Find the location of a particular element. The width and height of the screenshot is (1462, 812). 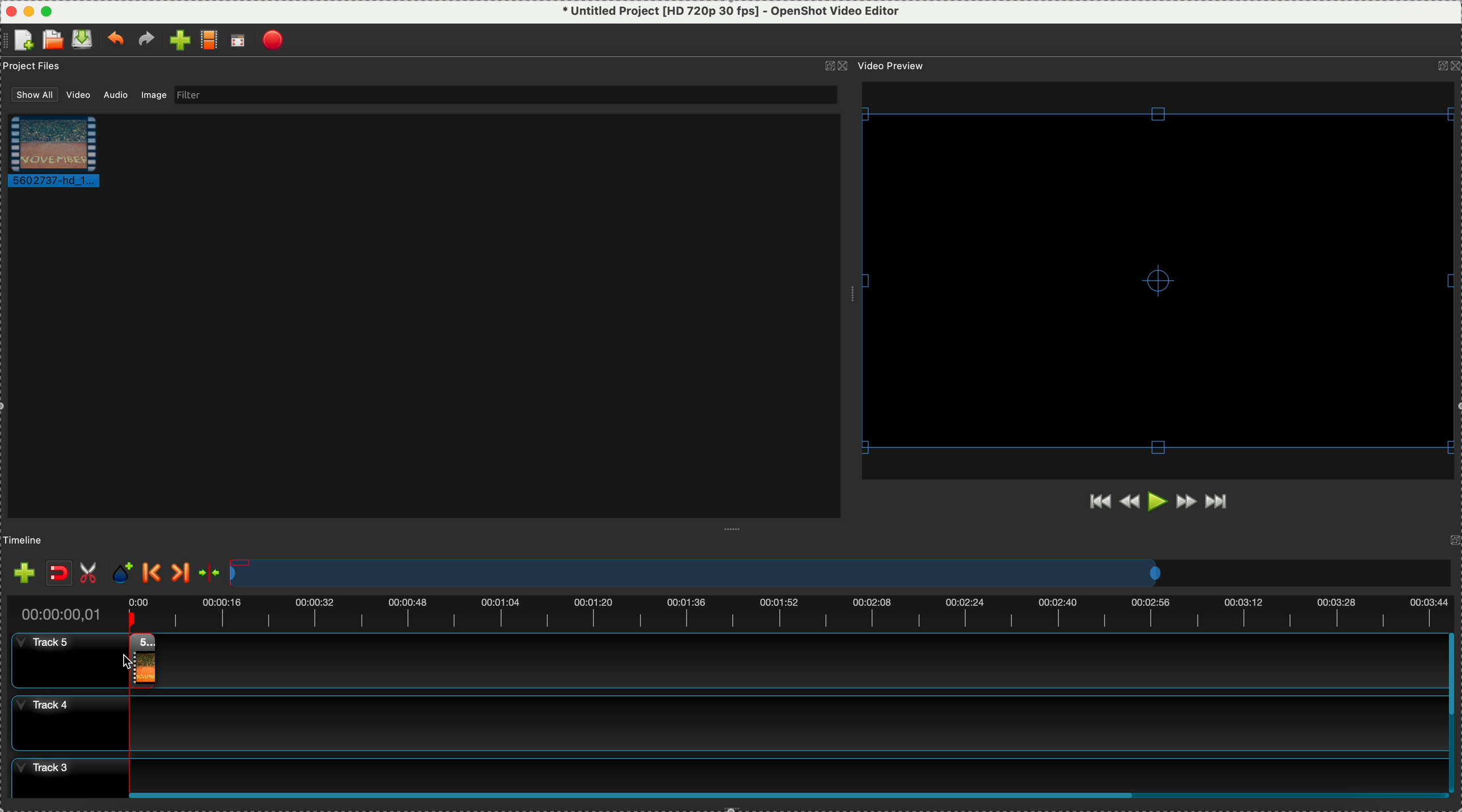

choose profile is located at coordinates (209, 41).